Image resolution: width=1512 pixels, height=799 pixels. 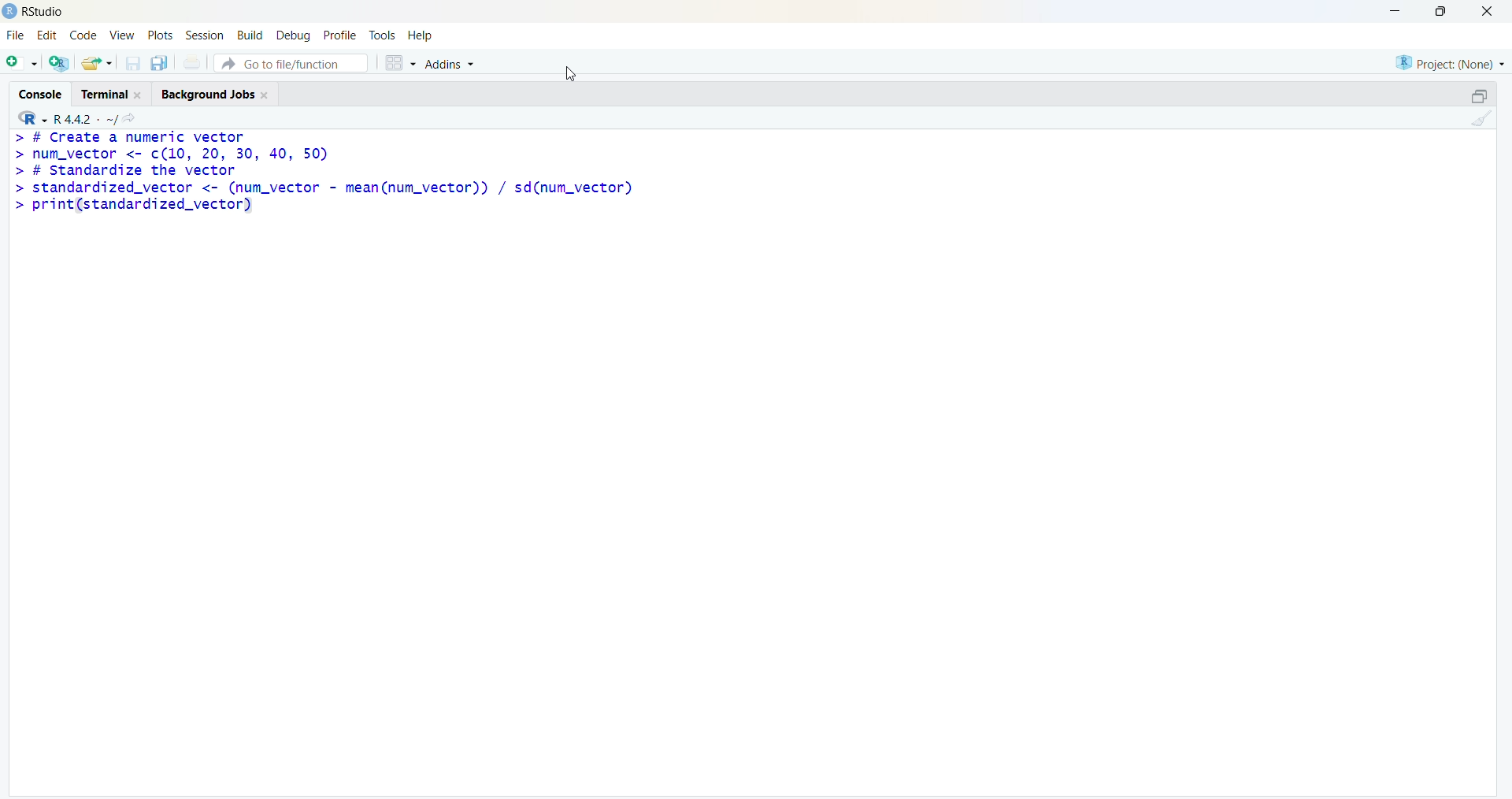 What do you see at coordinates (250, 35) in the screenshot?
I see `build` at bounding box center [250, 35].